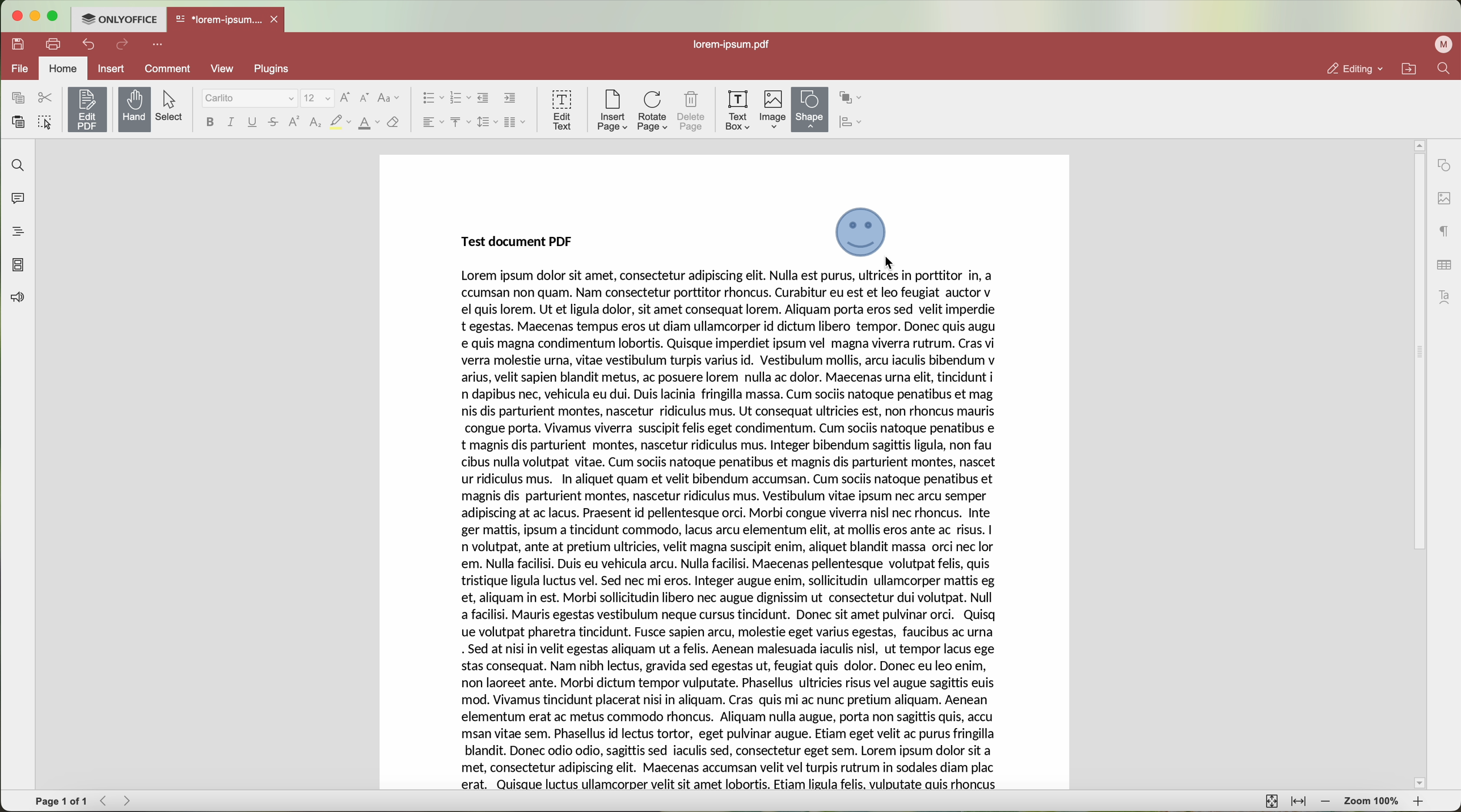 This screenshot has height=812, width=1461. Describe the element at coordinates (484, 98) in the screenshot. I see `decrease indent` at that location.